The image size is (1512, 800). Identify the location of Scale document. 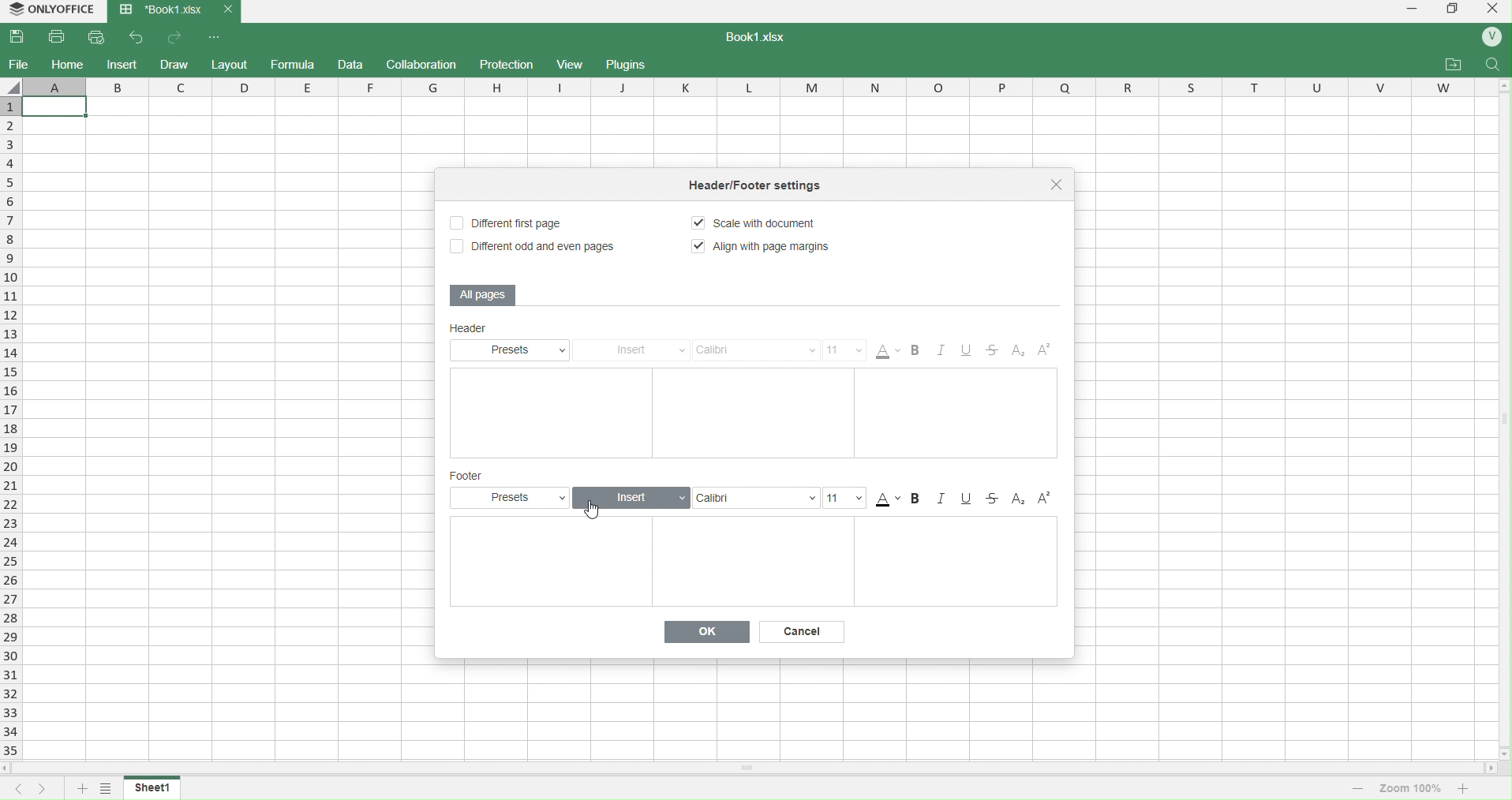
(764, 225).